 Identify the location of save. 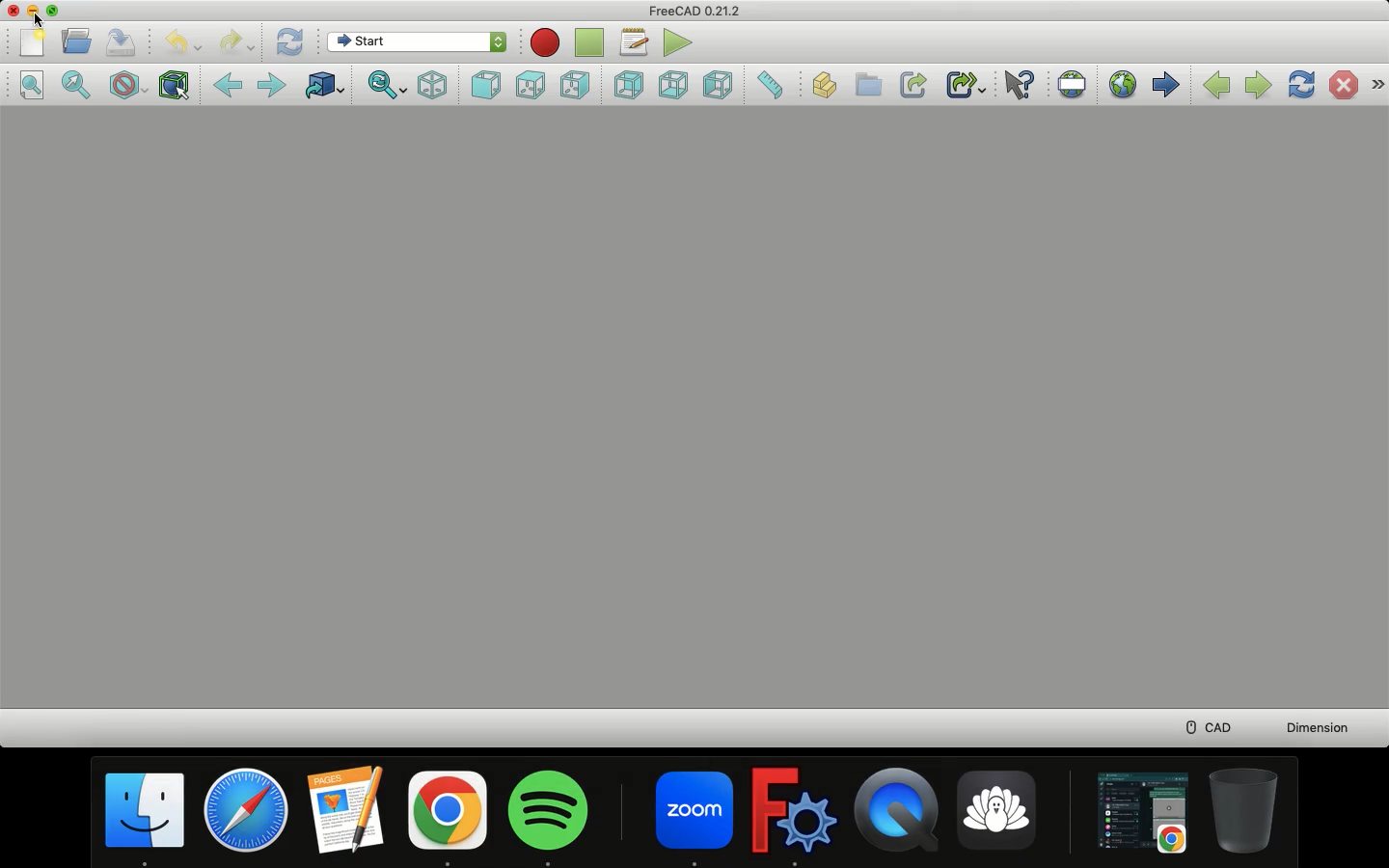
(123, 41).